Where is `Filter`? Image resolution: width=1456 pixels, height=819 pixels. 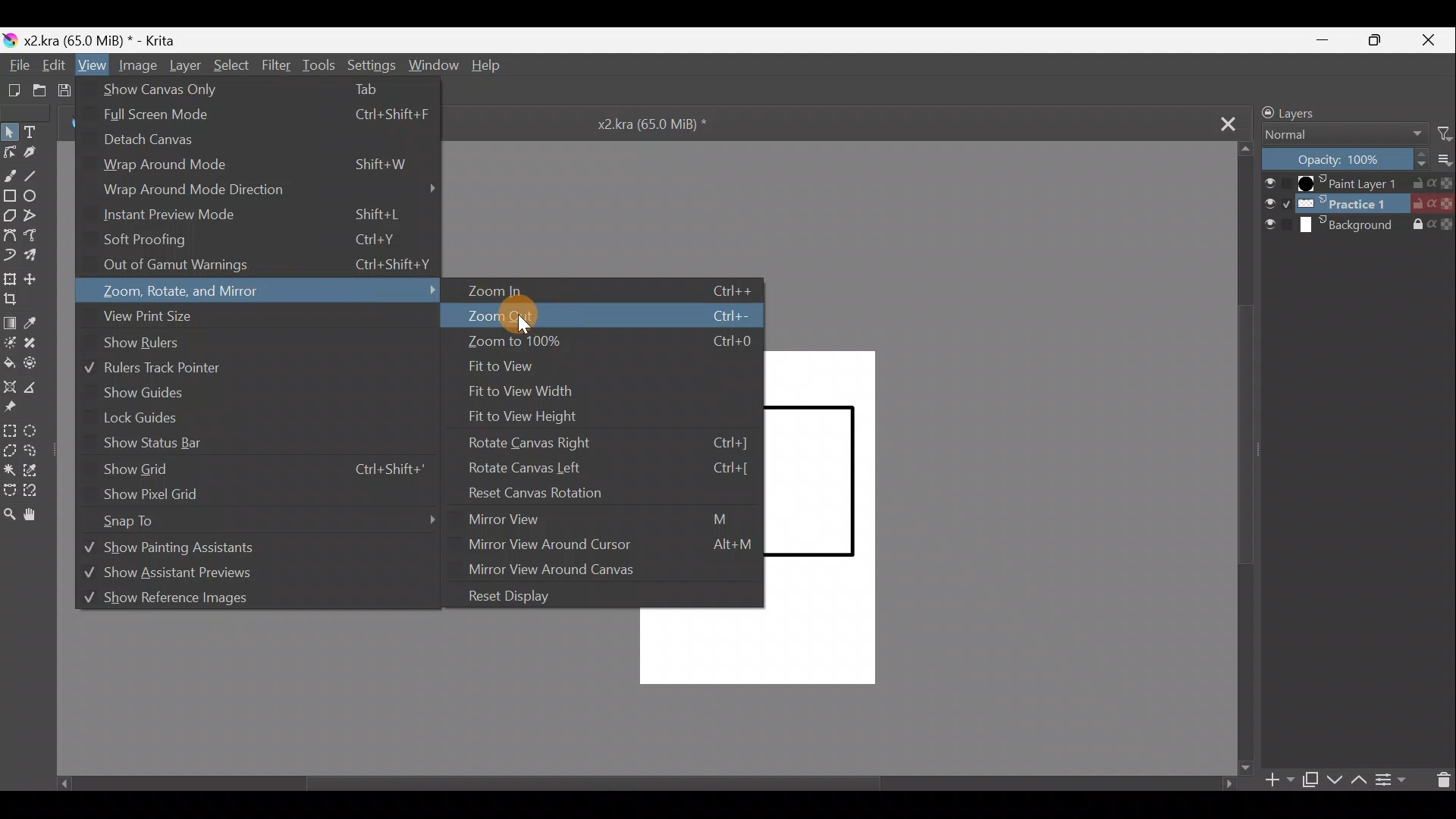
Filter is located at coordinates (277, 64).